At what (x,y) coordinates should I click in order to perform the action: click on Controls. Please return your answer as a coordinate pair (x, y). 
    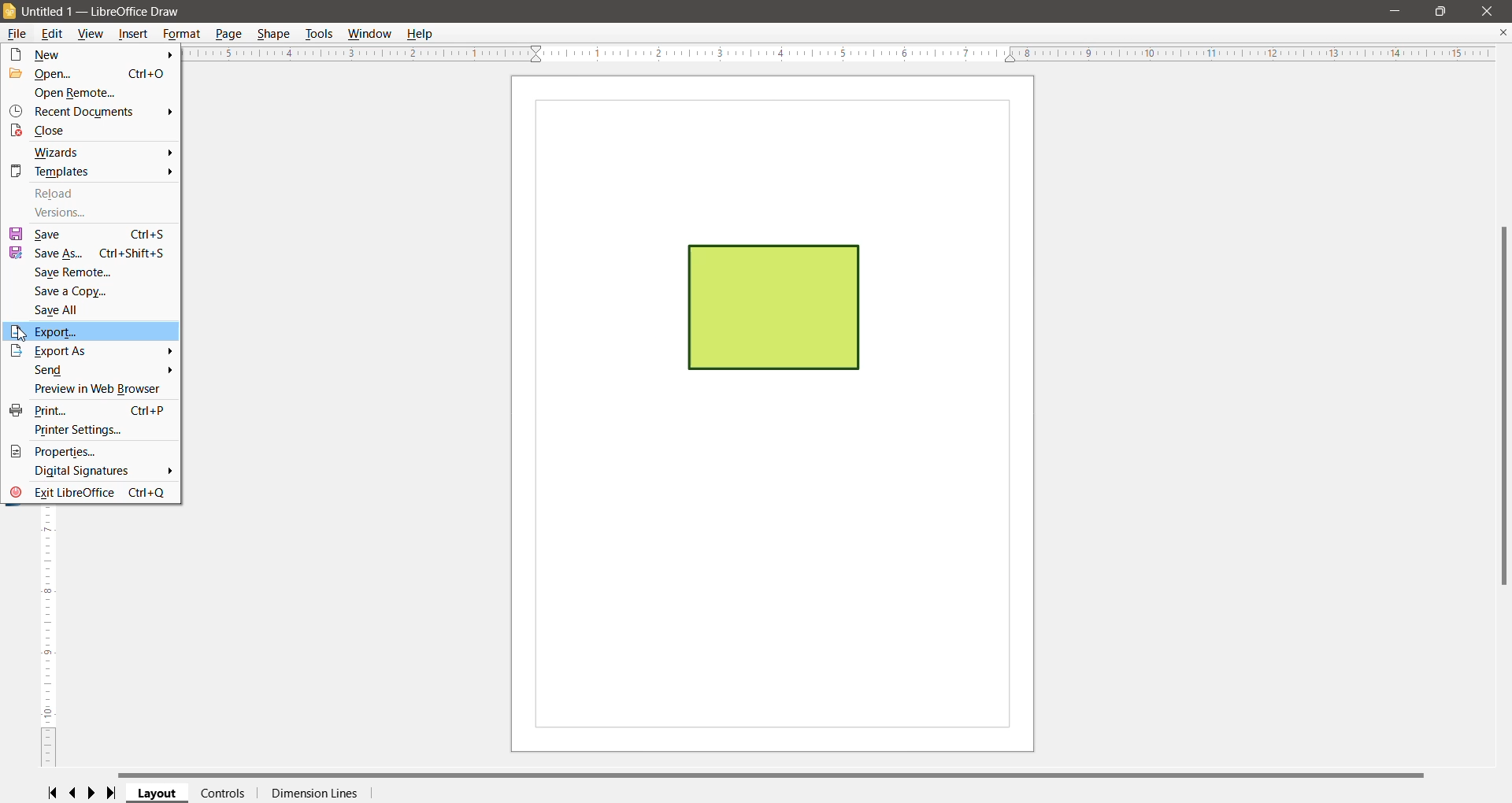
    Looking at the image, I should click on (223, 793).